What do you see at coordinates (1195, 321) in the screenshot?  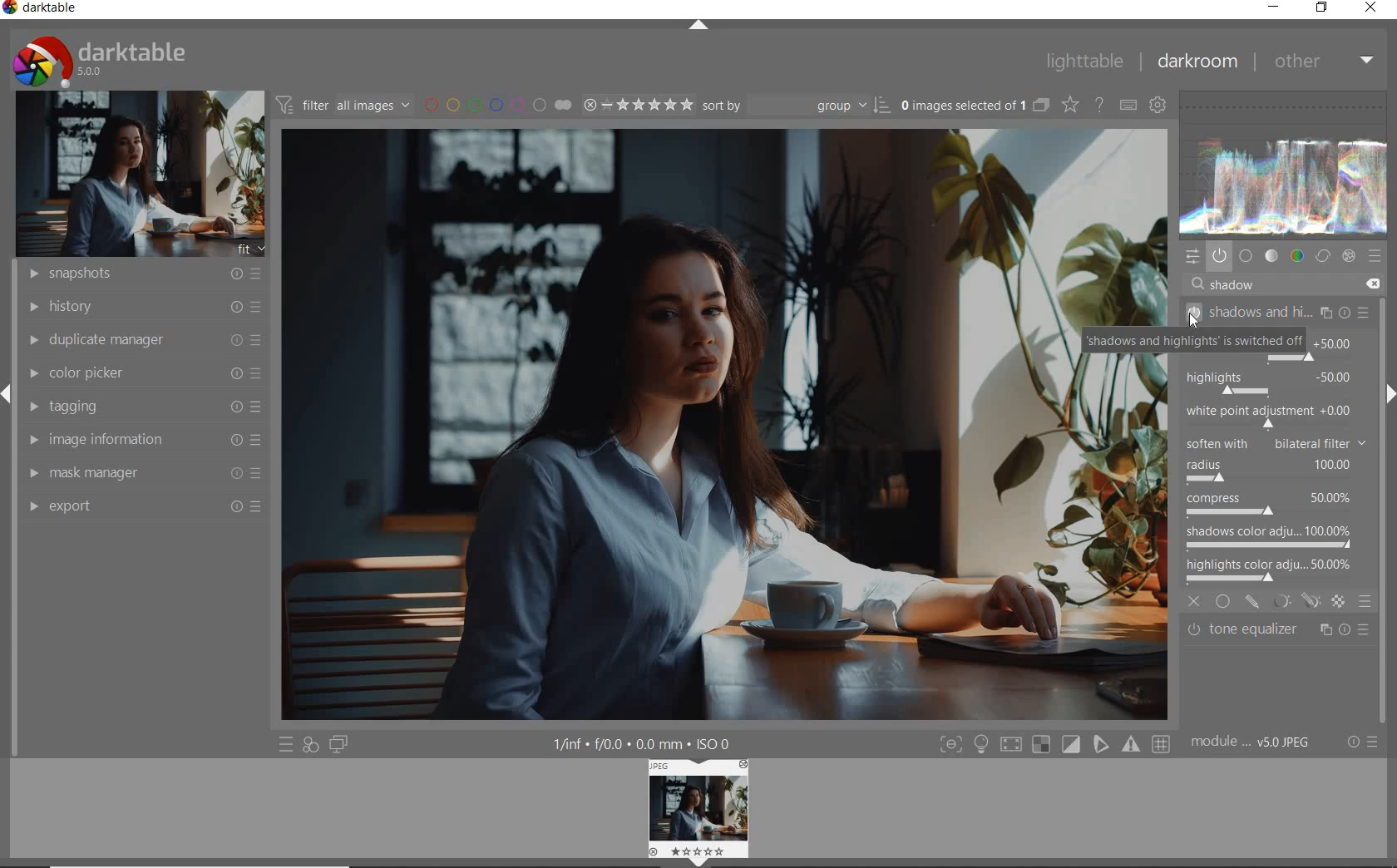 I see `Cursor` at bounding box center [1195, 321].